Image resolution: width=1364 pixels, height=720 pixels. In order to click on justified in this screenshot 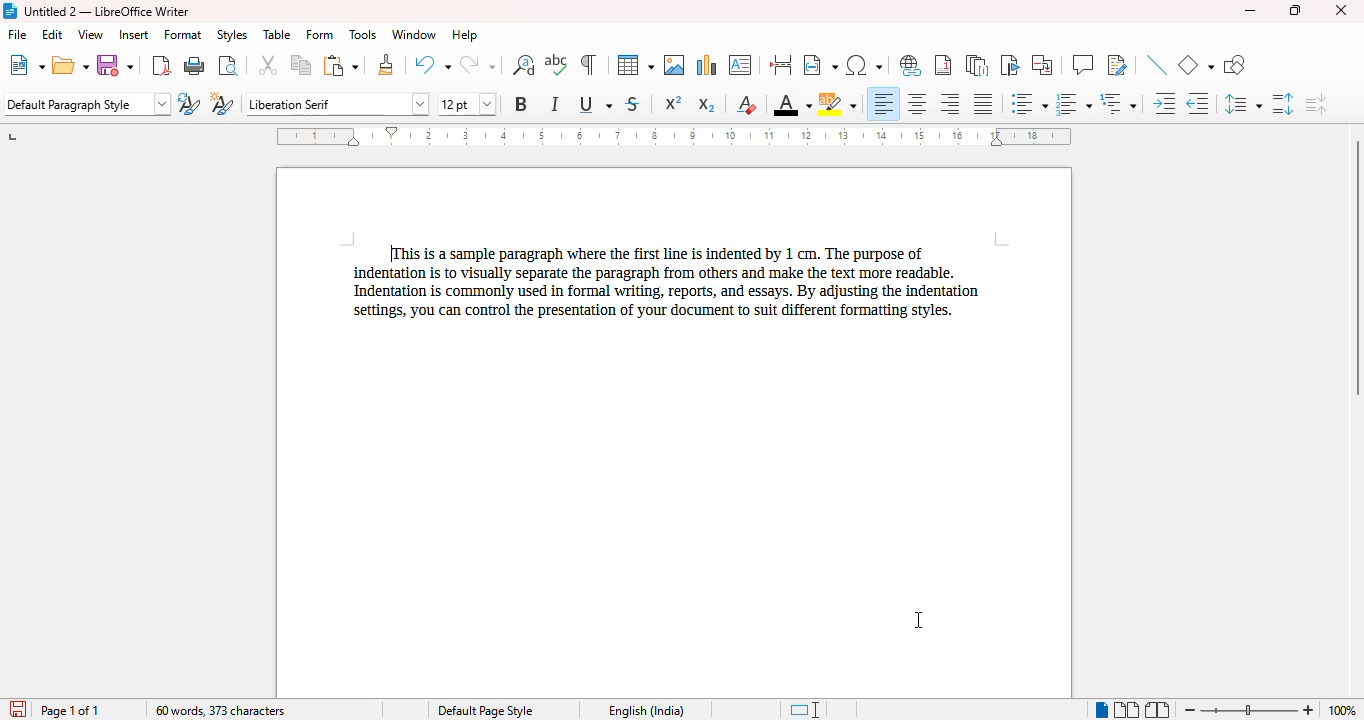, I will do `click(984, 103)`.